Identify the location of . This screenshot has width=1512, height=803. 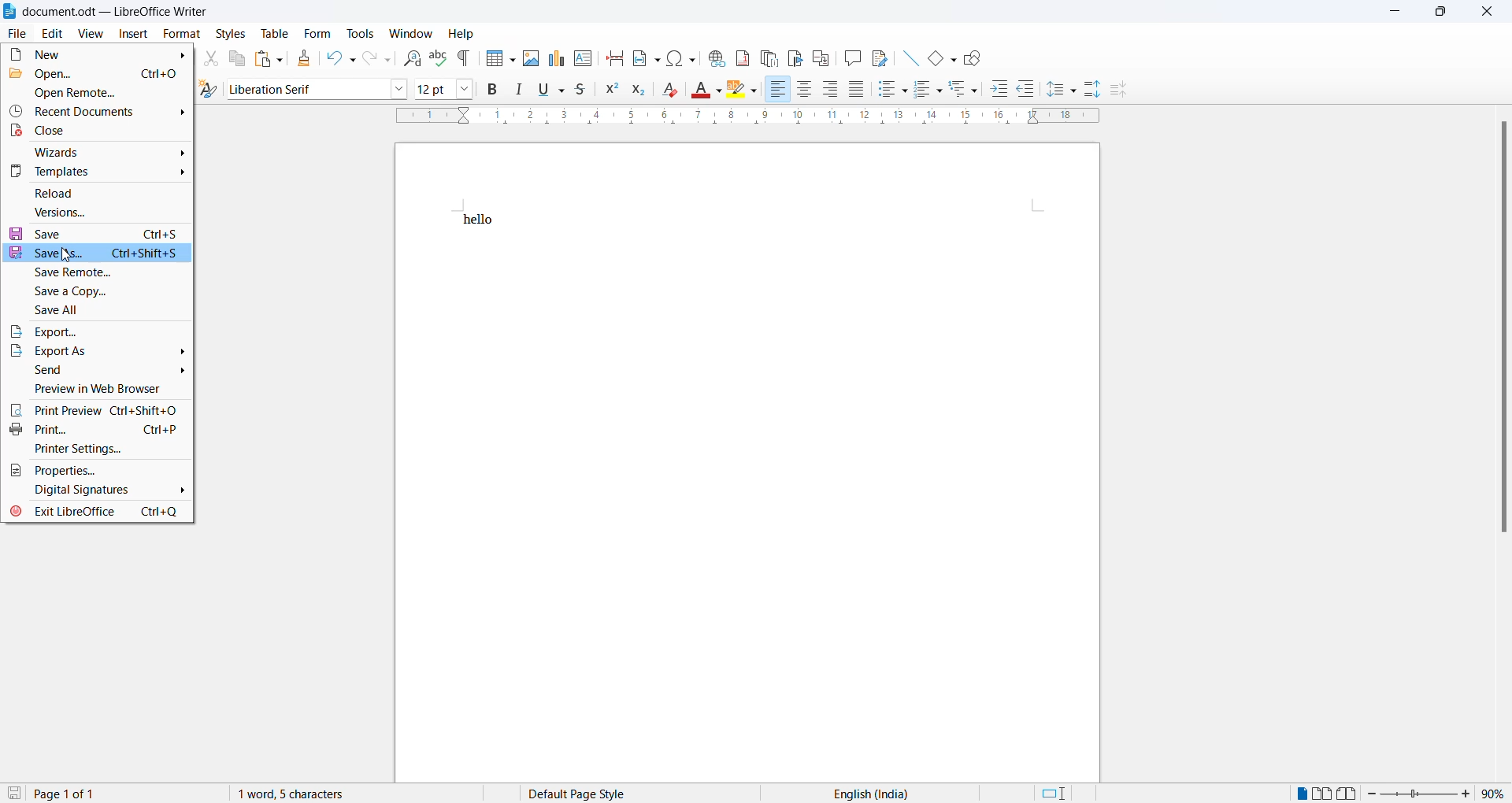
(1026, 90).